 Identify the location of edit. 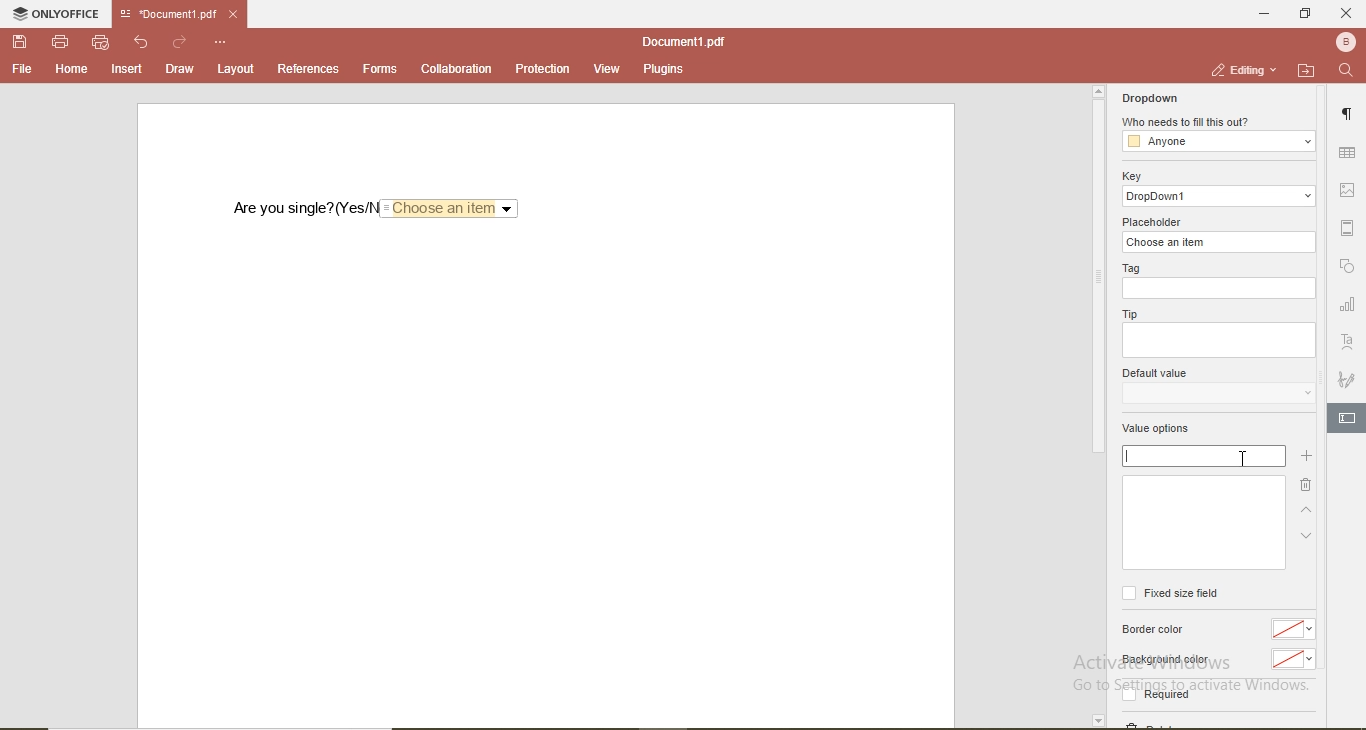
(1346, 417).